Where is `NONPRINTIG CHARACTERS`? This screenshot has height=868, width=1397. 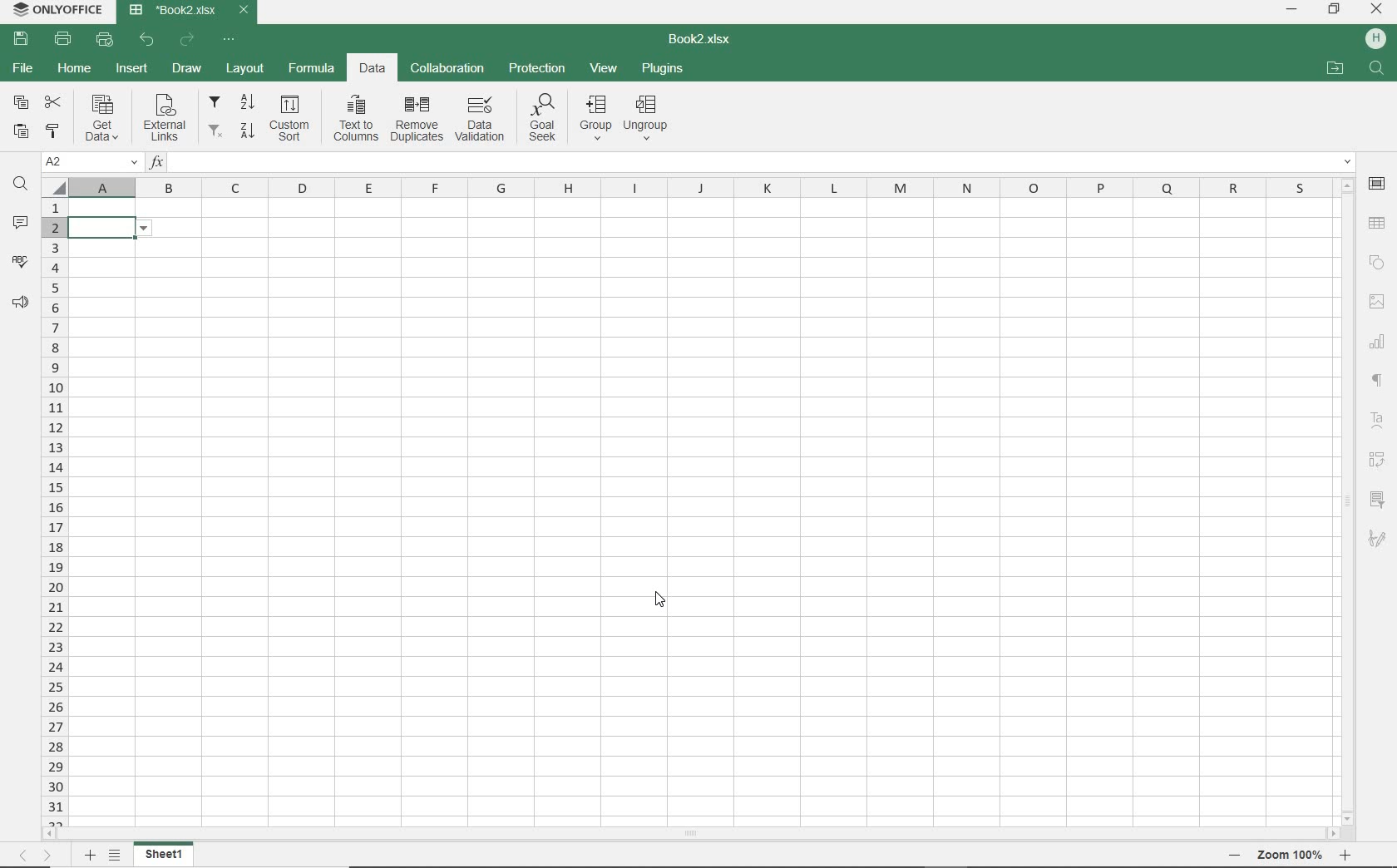
NONPRINTIG CHARACTERS is located at coordinates (1379, 382).